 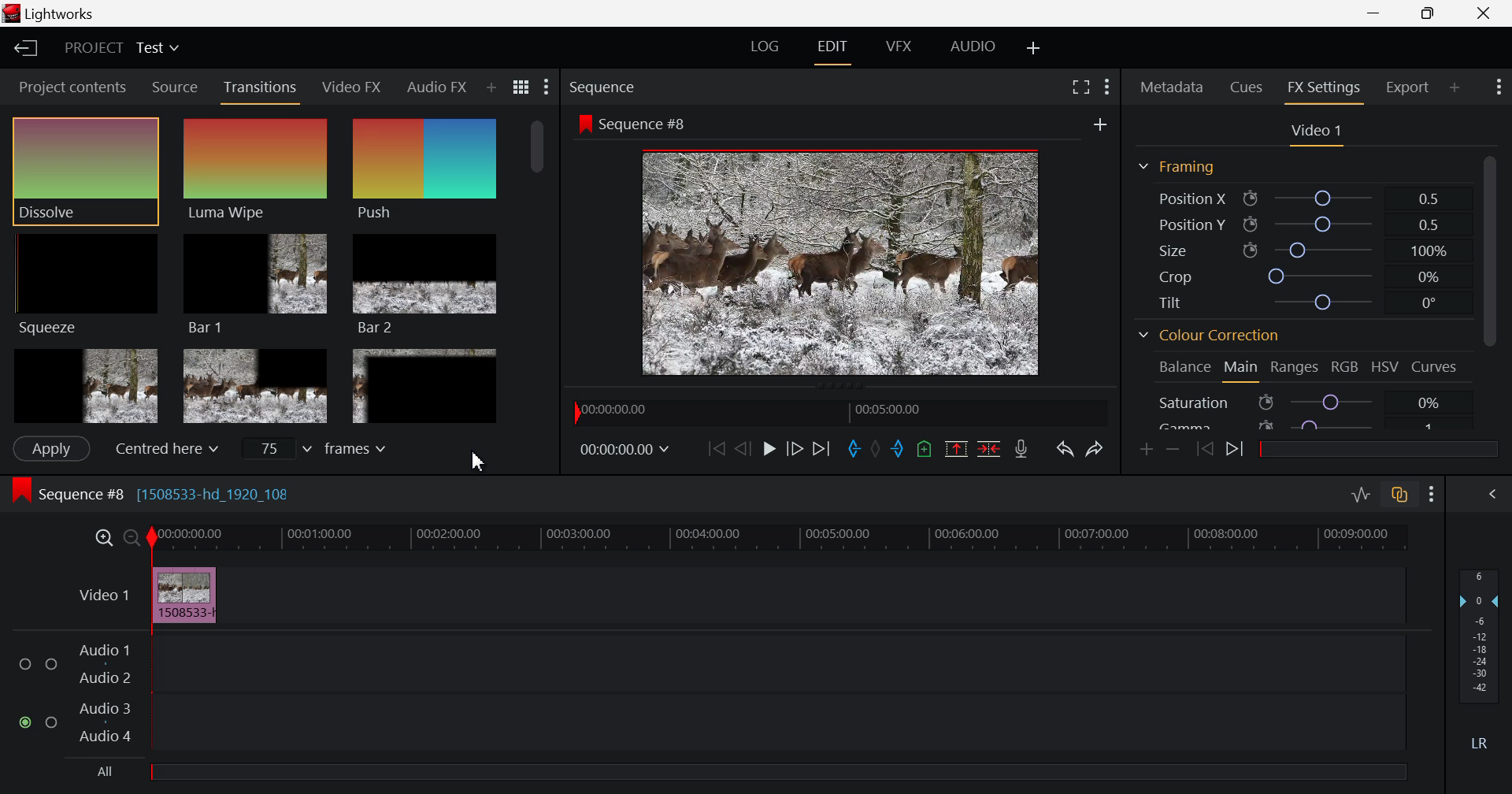 What do you see at coordinates (833, 50) in the screenshot?
I see `EDIT Layout` at bounding box center [833, 50].